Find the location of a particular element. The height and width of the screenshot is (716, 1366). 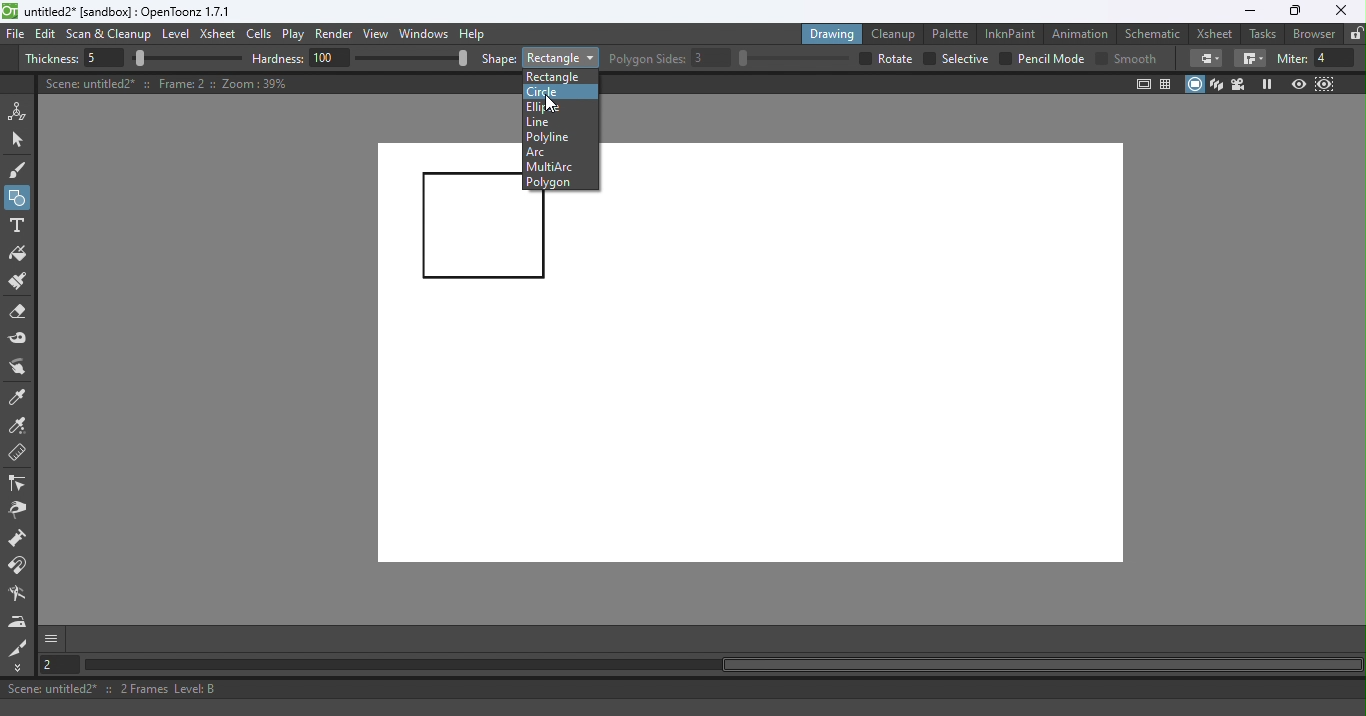

checkbox is located at coordinates (928, 59).